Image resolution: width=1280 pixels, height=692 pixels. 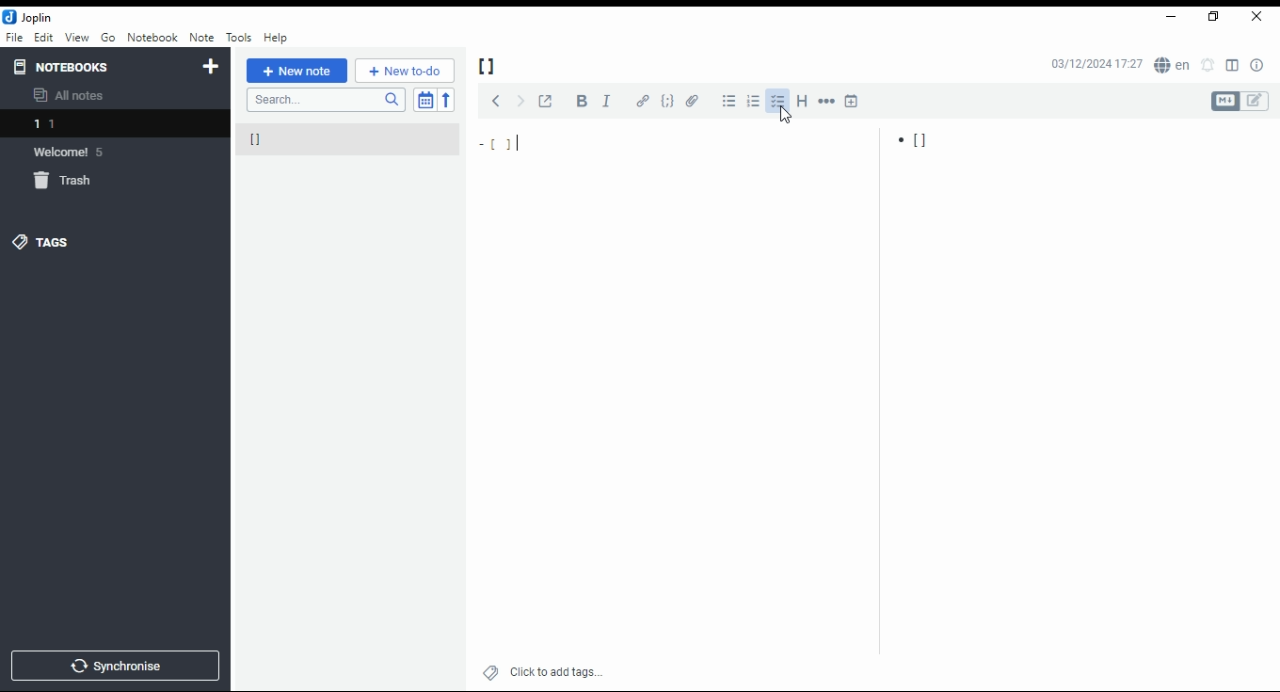 I want to click on [], so click(x=332, y=139).